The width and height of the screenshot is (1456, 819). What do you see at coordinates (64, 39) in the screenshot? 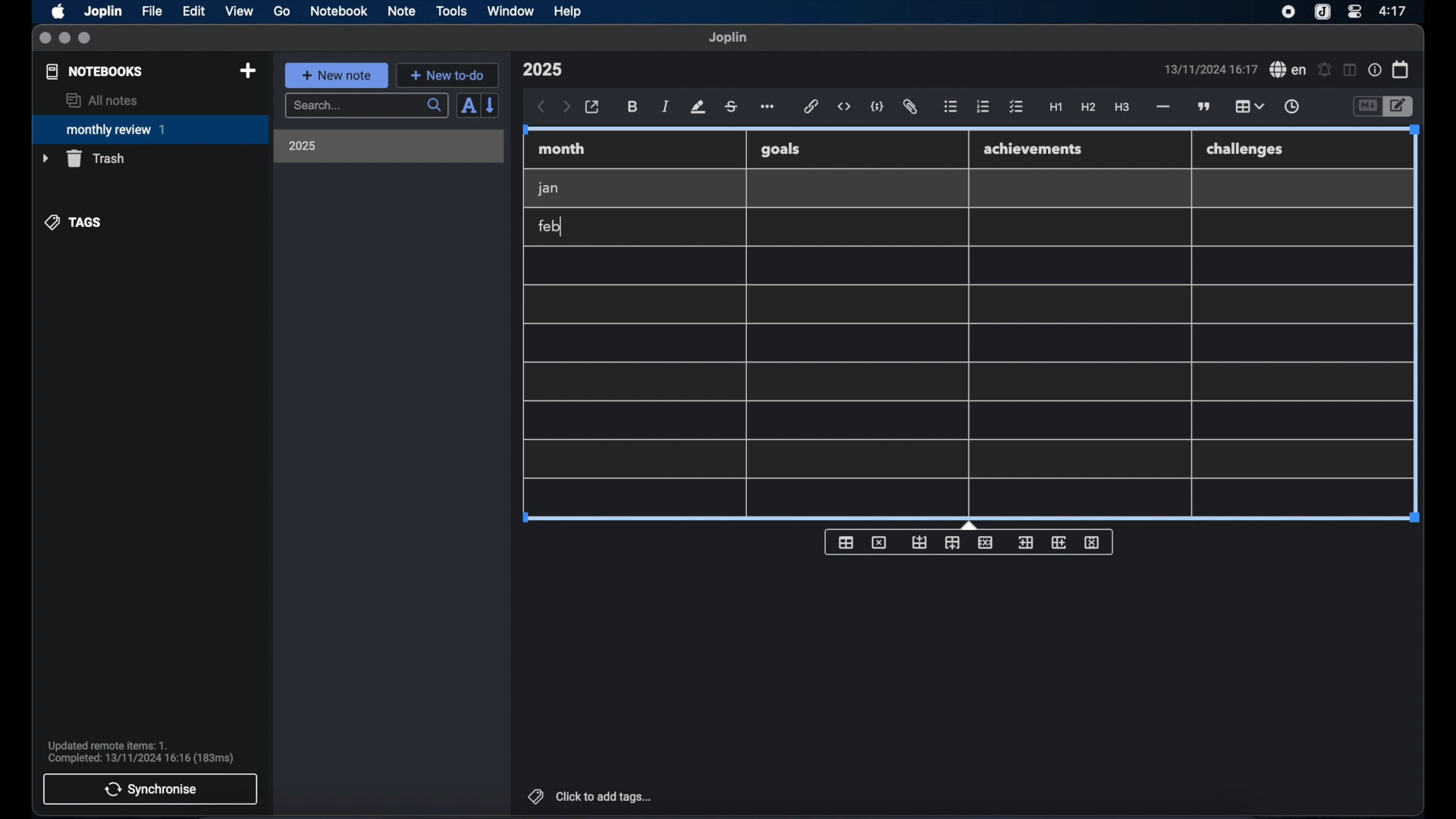
I see `minimize` at bounding box center [64, 39].